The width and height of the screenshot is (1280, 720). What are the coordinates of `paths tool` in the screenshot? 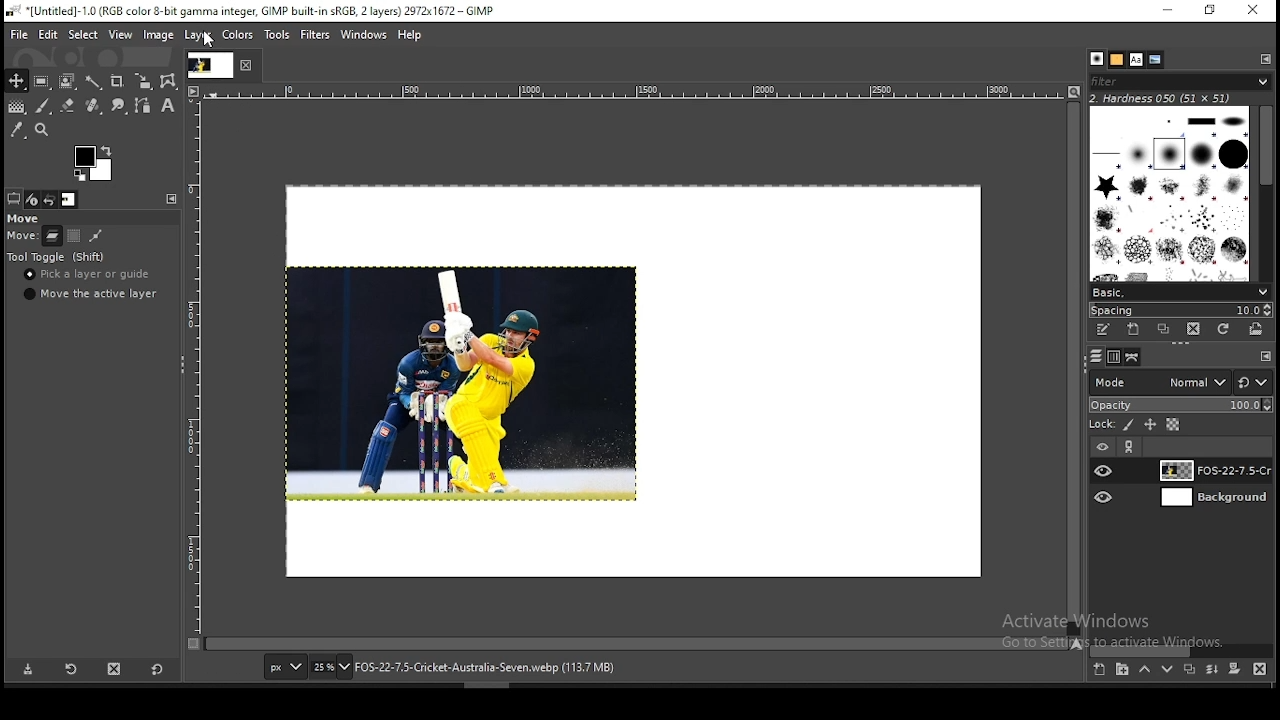 It's located at (140, 107).